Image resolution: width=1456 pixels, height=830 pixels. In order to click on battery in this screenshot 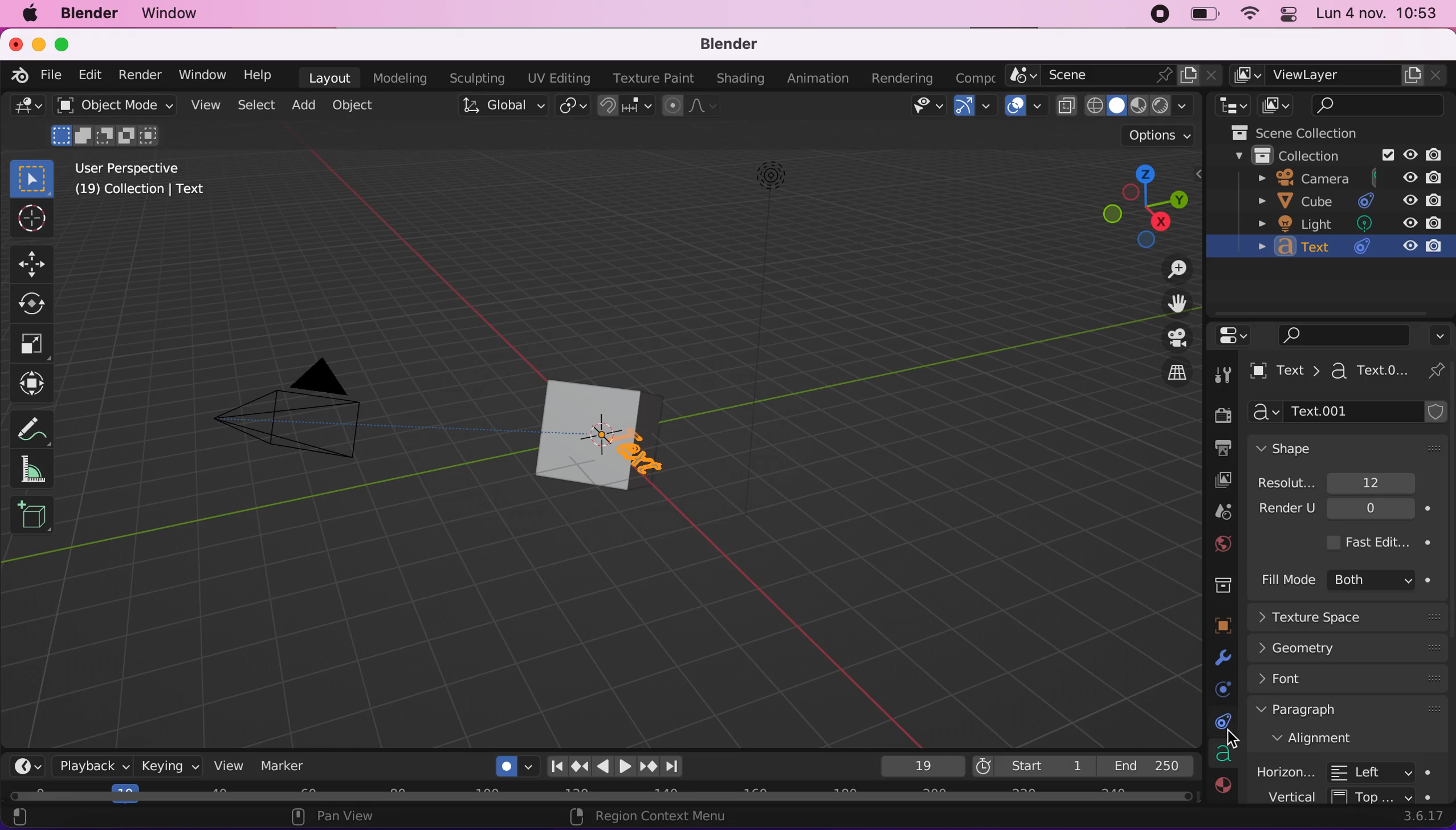, I will do `click(1203, 15)`.